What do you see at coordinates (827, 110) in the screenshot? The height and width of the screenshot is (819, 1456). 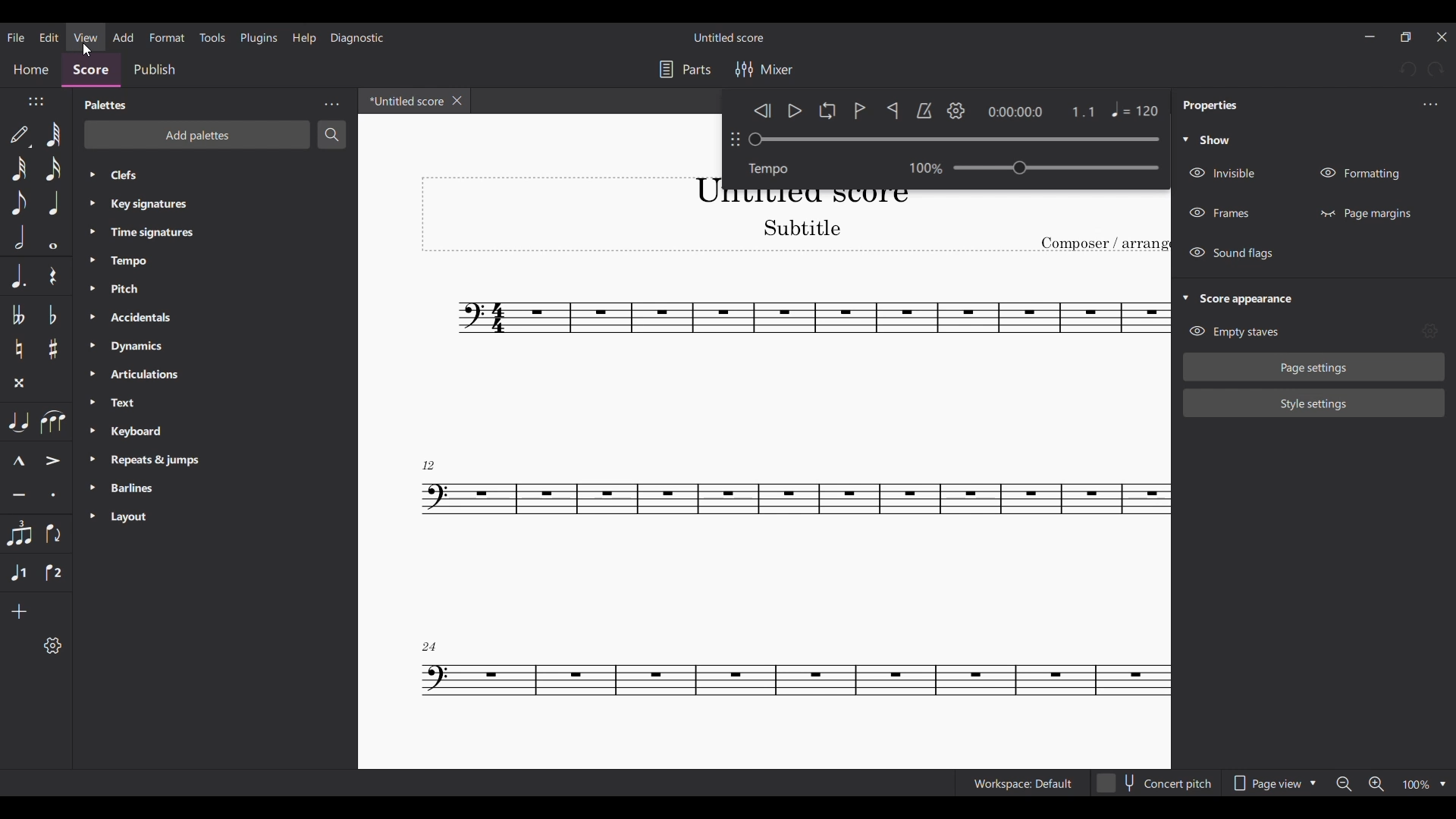 I see `Loop playback` at bounding box center [827, 110].